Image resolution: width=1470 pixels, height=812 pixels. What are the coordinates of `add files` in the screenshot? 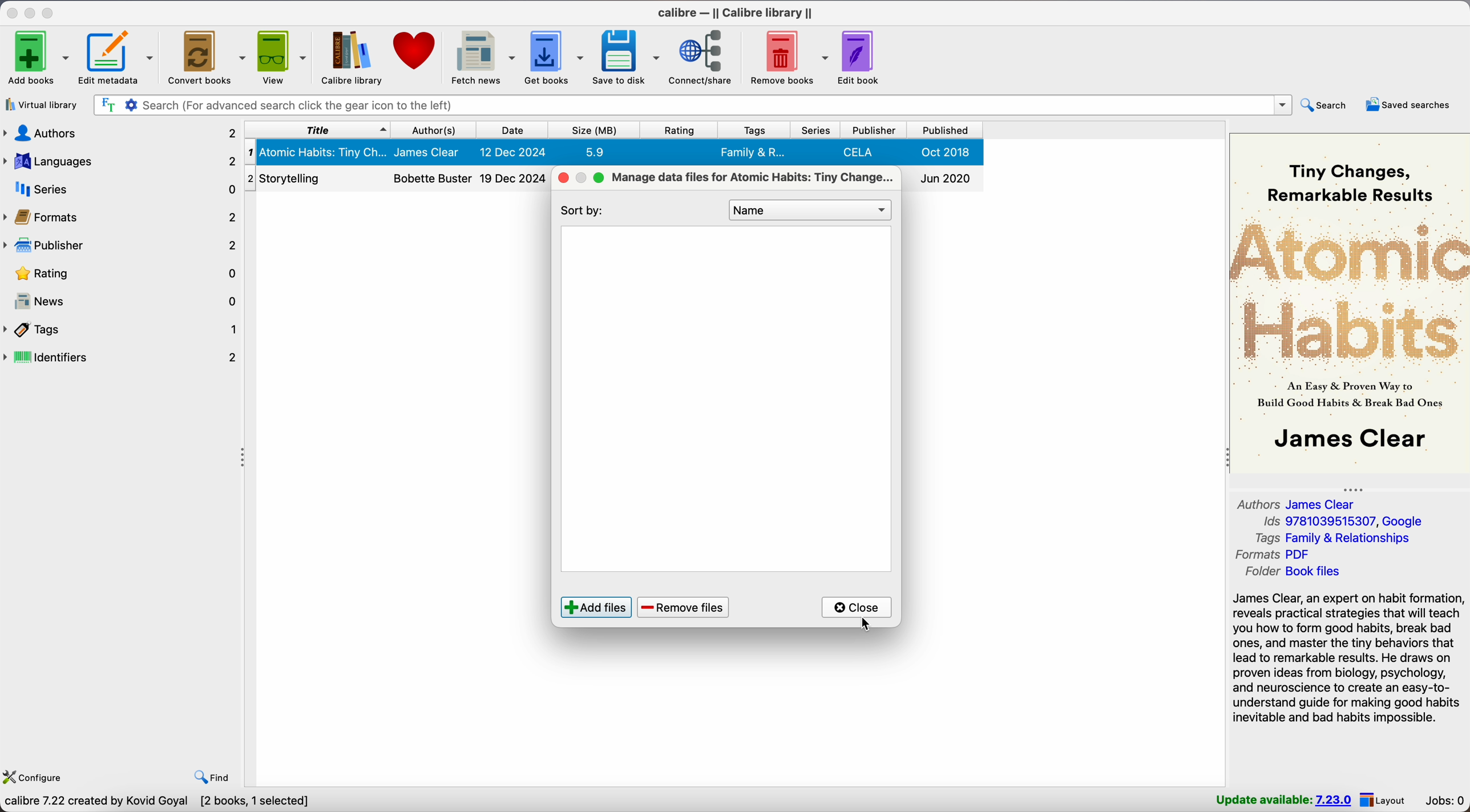 It's located at (595, 607).